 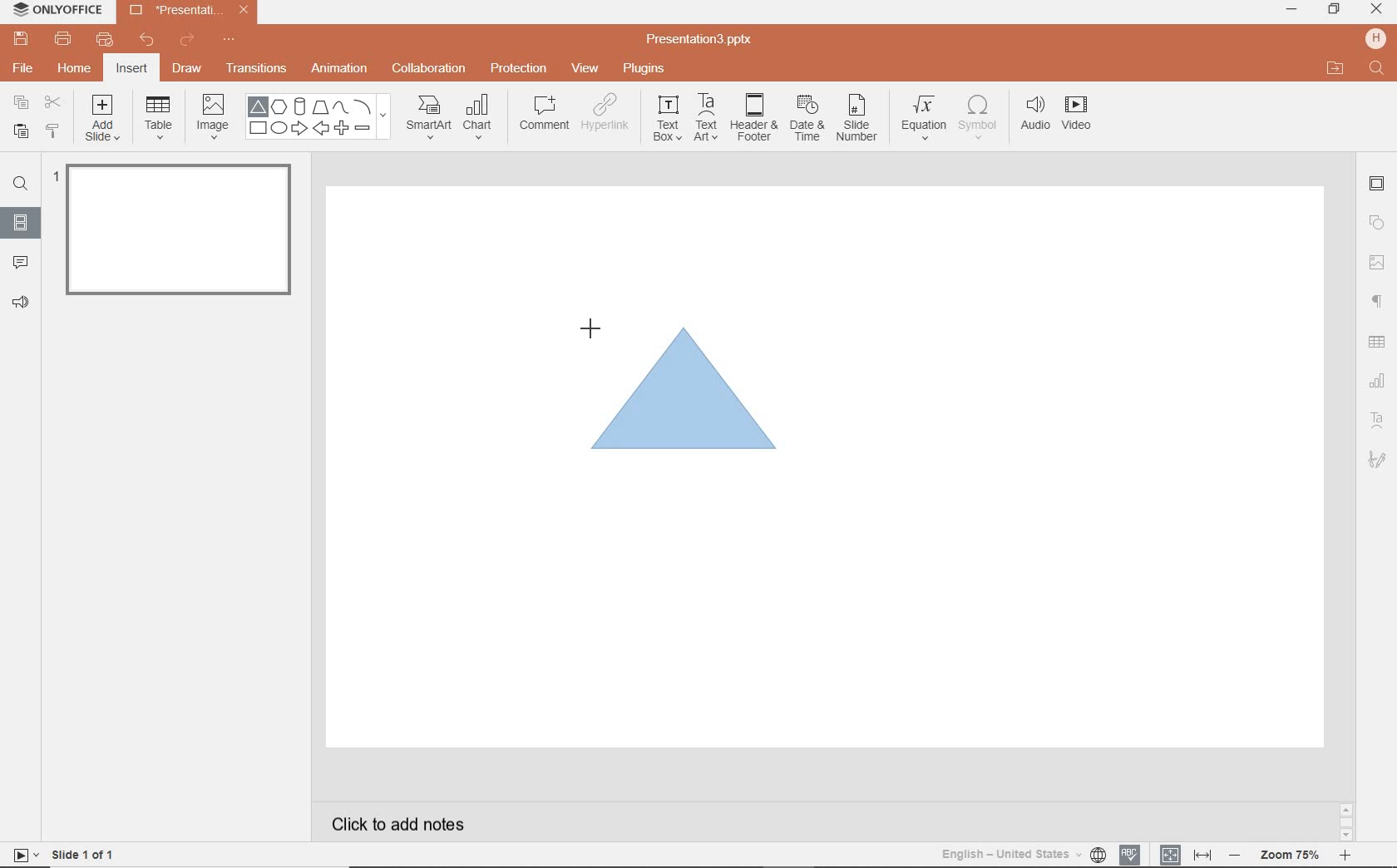 I want to click on SHAPES, so click(x=318, y=117).